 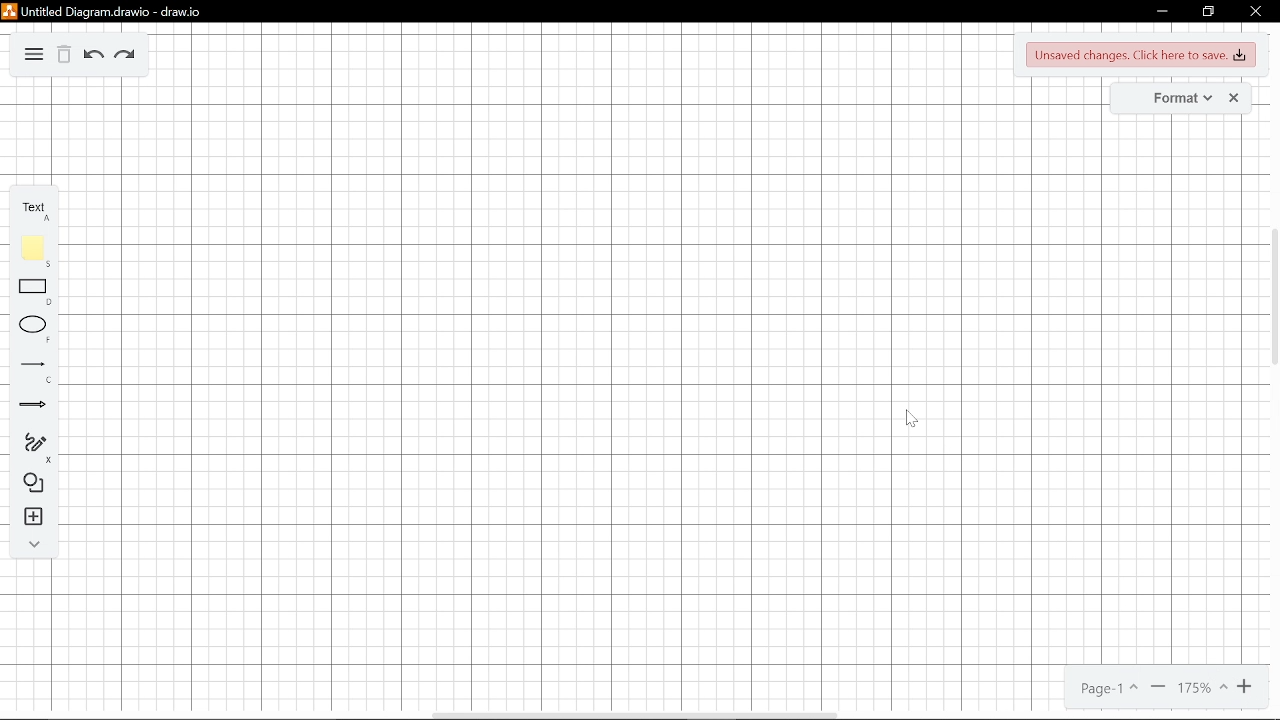 What do you see at coordinates (1110, 687) in the screenshot?
I see `current page` at bounding box center [1110, 687].